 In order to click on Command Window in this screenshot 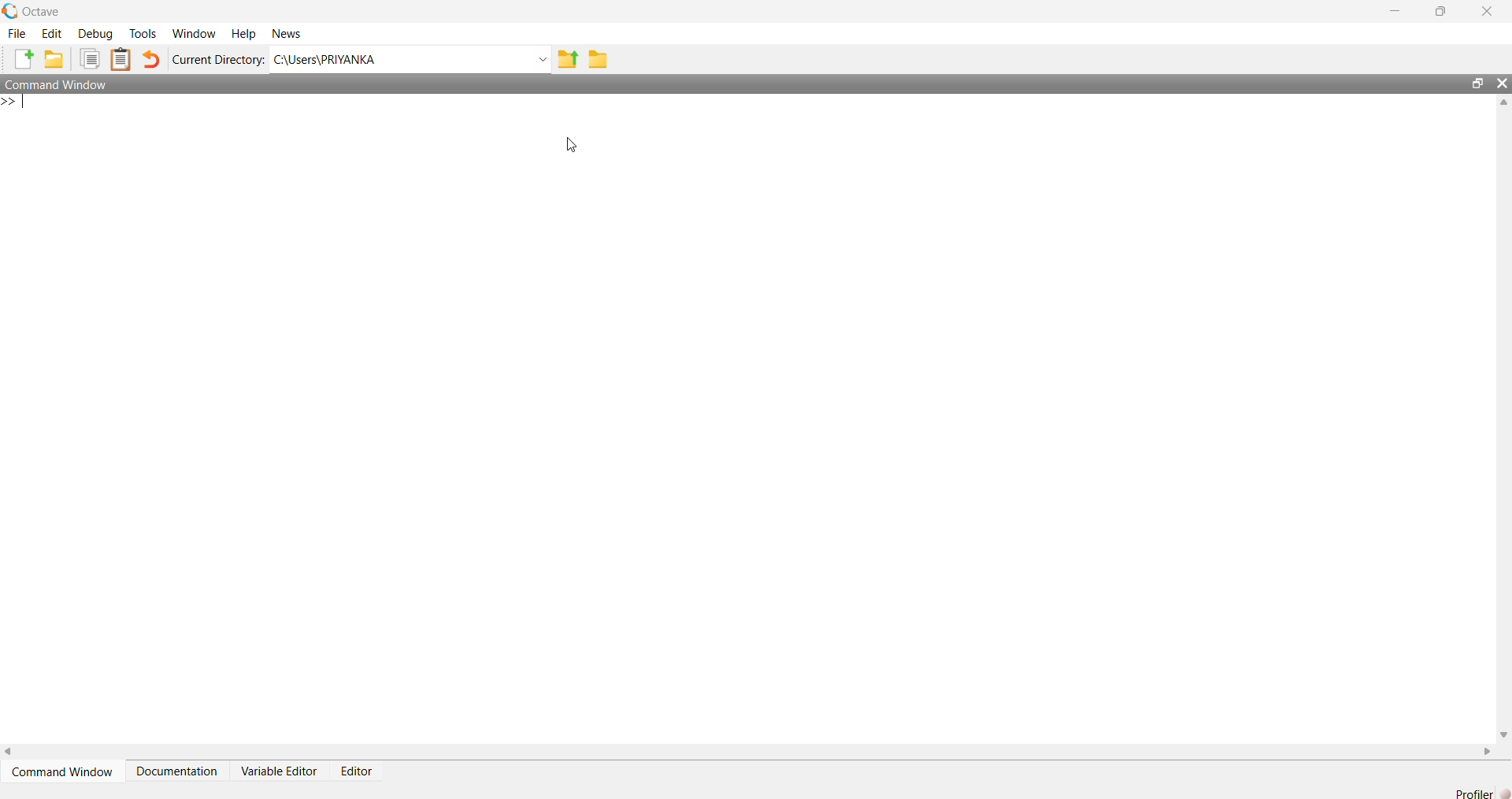, I will do `click(61, 82)`.